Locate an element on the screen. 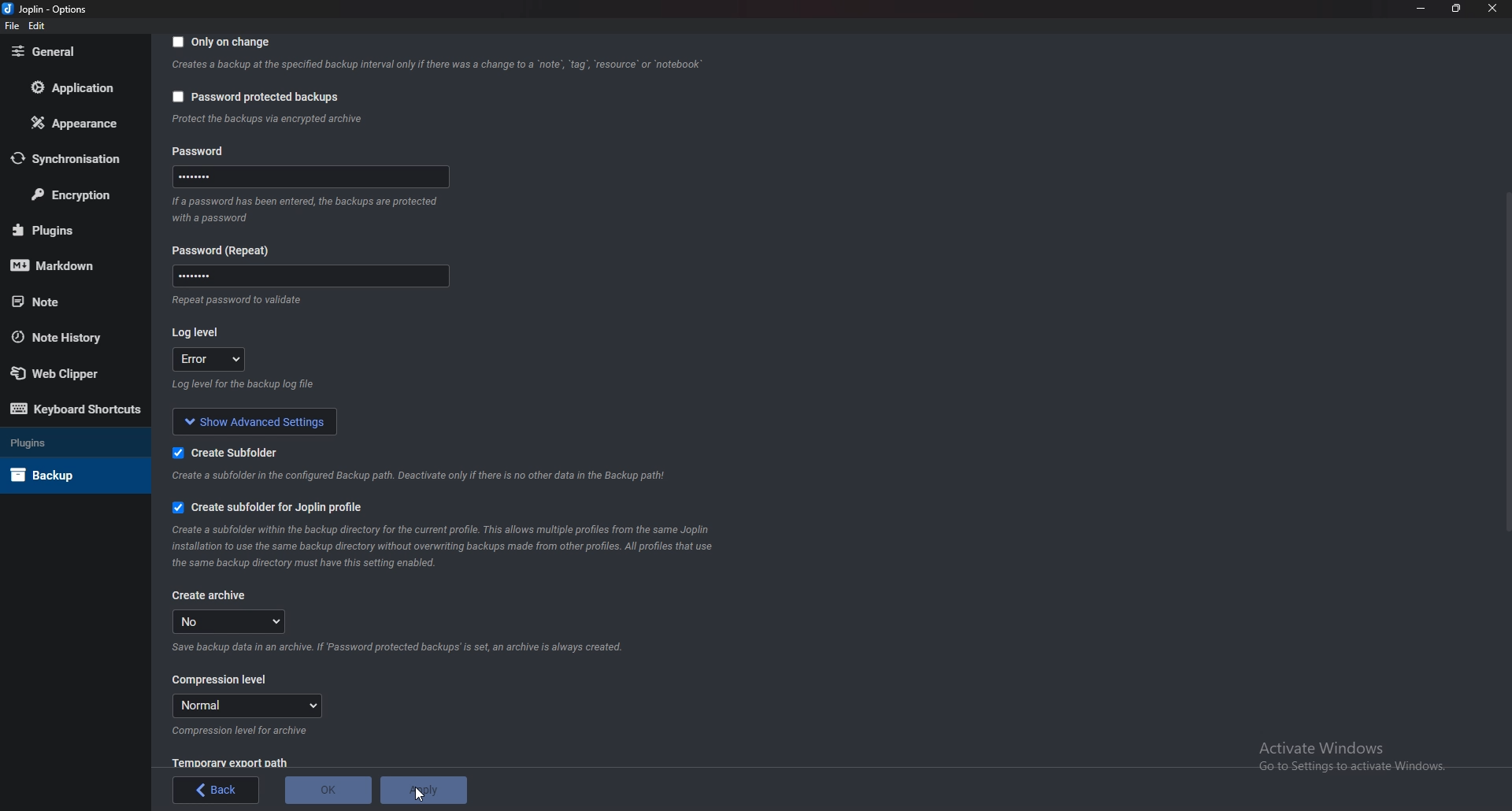 This screenshot has width=1512, height=811. Scroll bar is located at coordinates (1507, 361).